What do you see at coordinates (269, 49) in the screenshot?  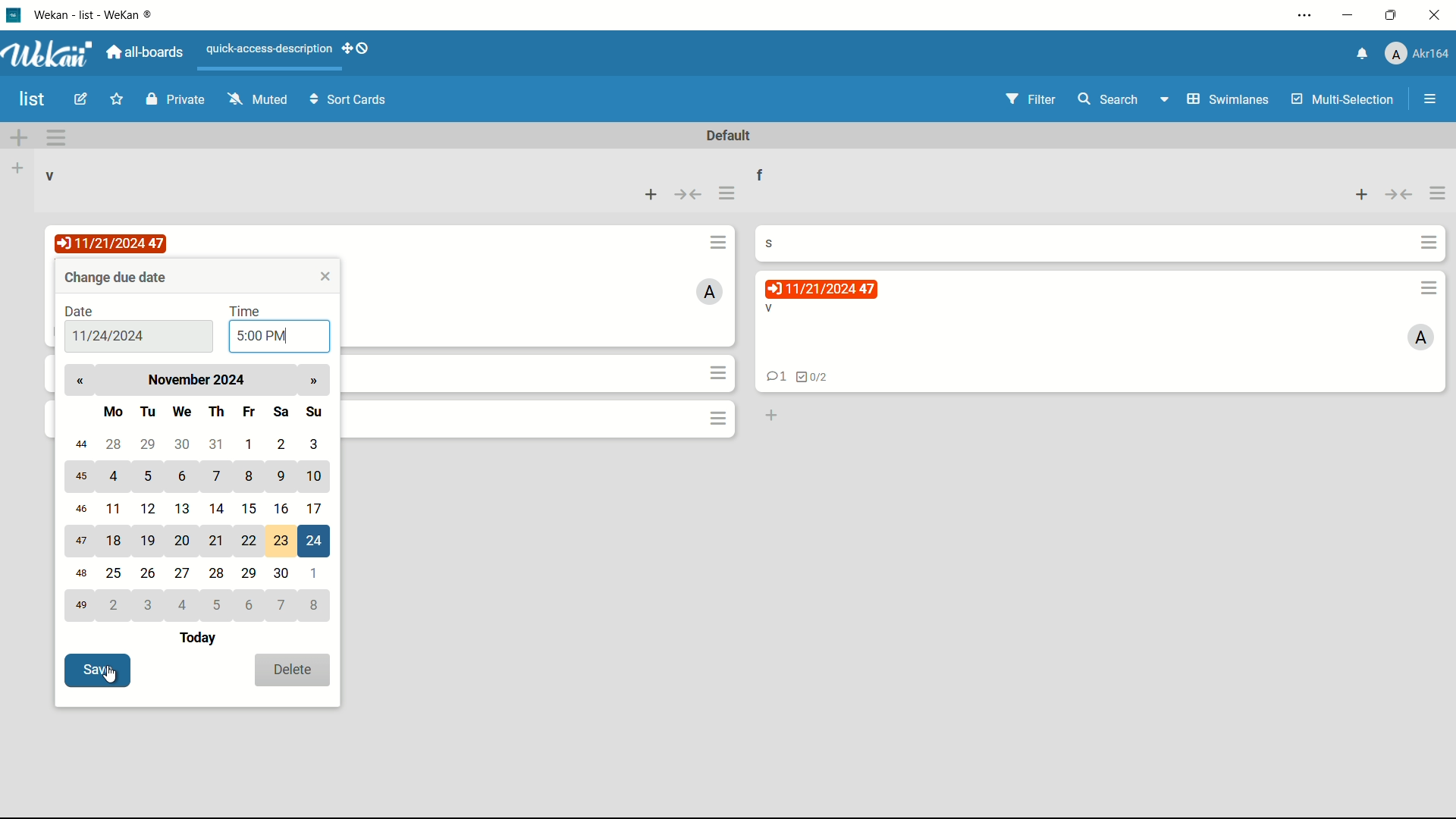 I see `quick-access-description` at bounding box center [269, 49].